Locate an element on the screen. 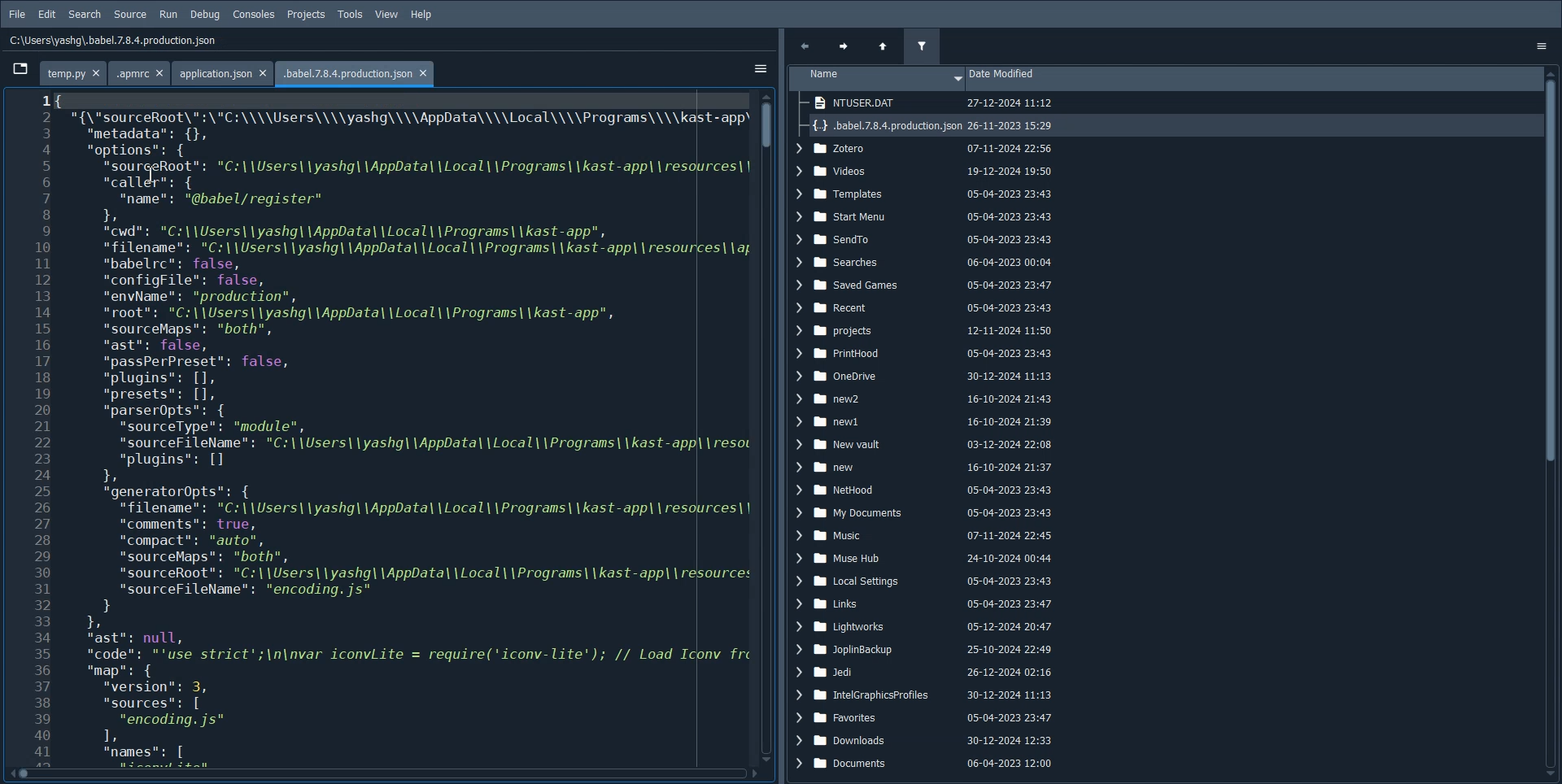 The width and height of the screenshot is (1562, 784). Vertical scroll bar is located at coordinates (766, 427).